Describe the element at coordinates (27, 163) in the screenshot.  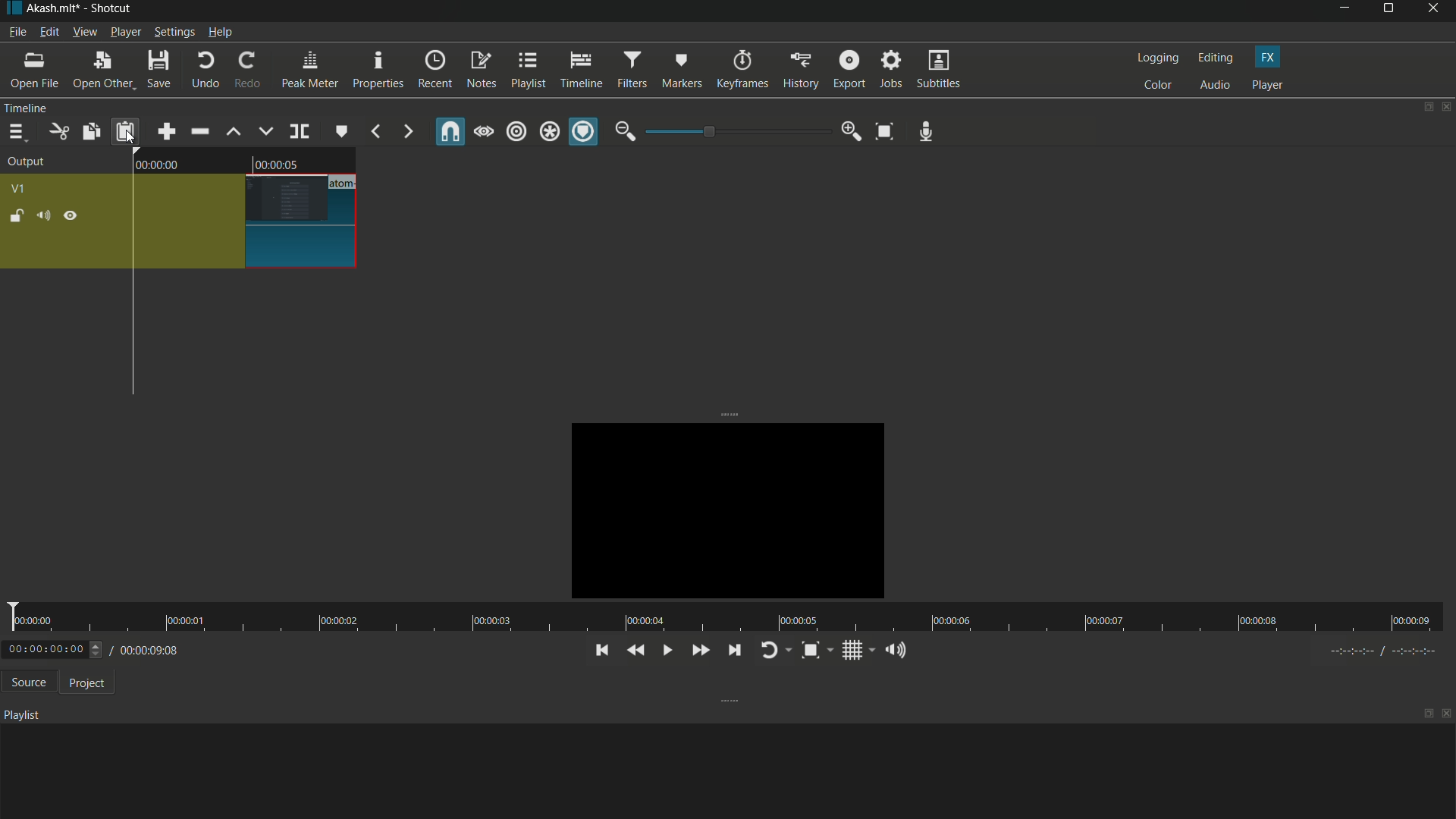
I see `output` at that location.